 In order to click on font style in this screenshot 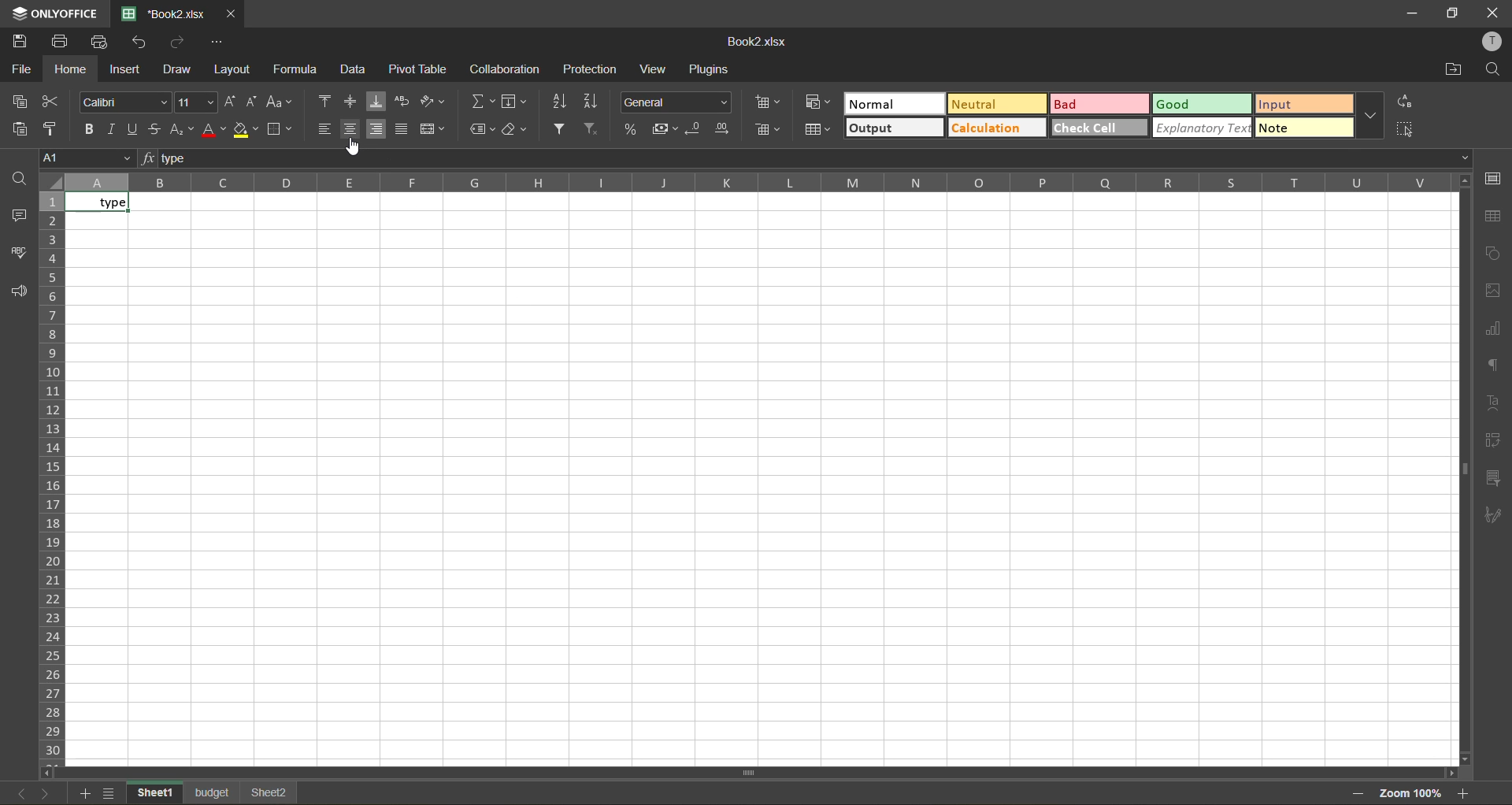, I will do `click(122, 102)`.